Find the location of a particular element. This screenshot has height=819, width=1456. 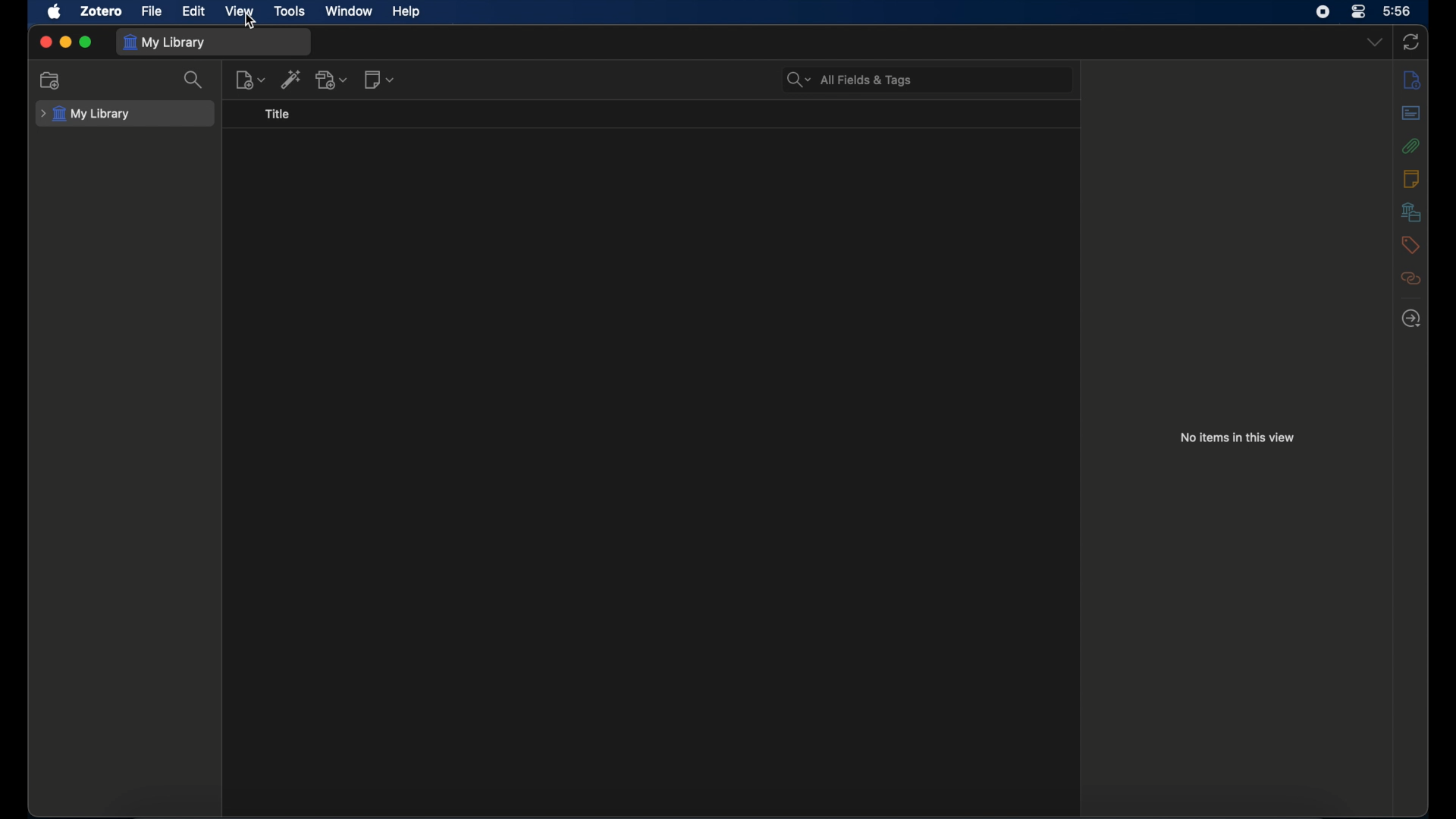

add item by identifier is located at coordinates (293, 79).